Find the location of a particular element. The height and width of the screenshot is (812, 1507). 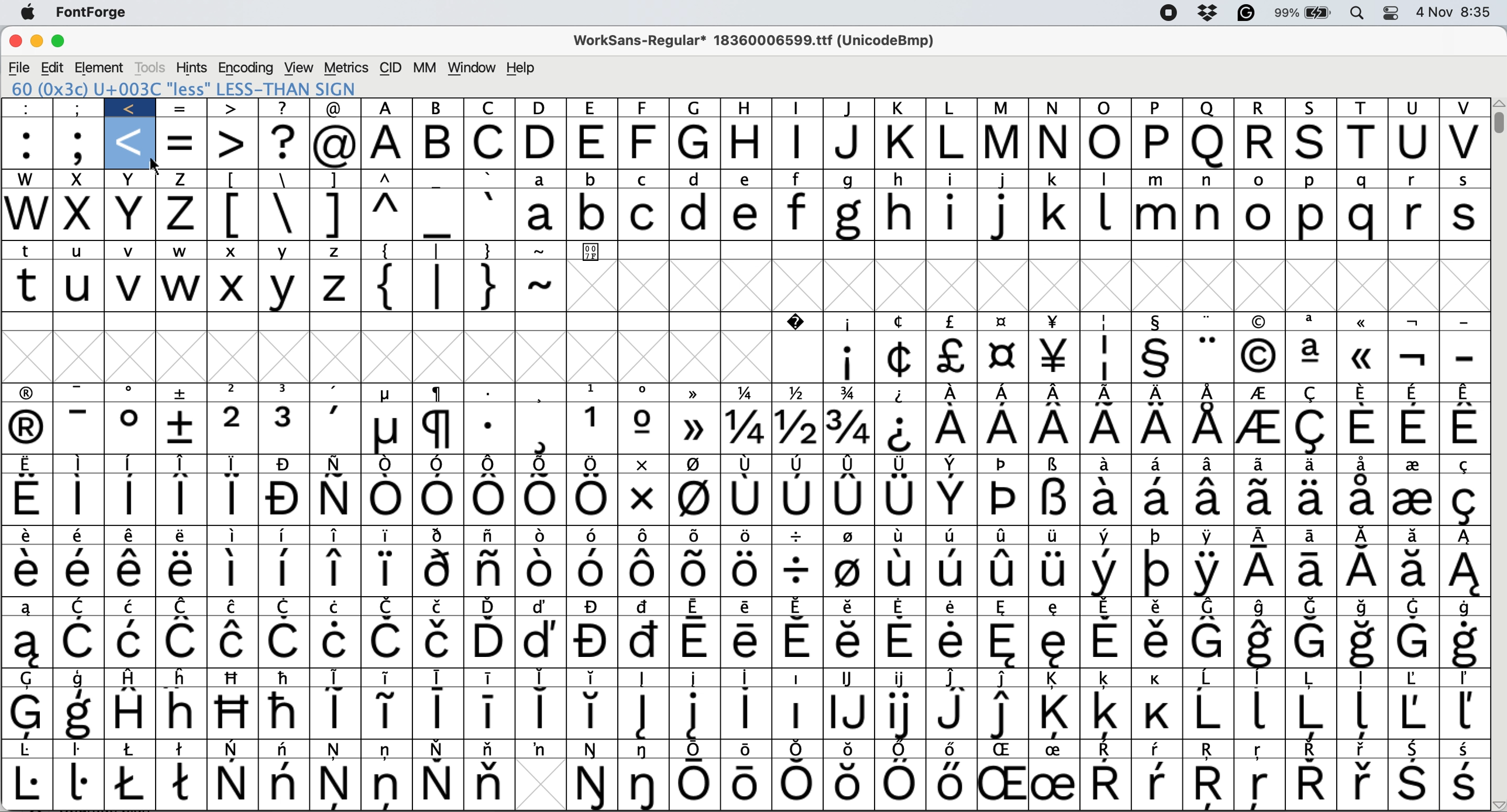

Symbol is located at coordinates (648, 785).